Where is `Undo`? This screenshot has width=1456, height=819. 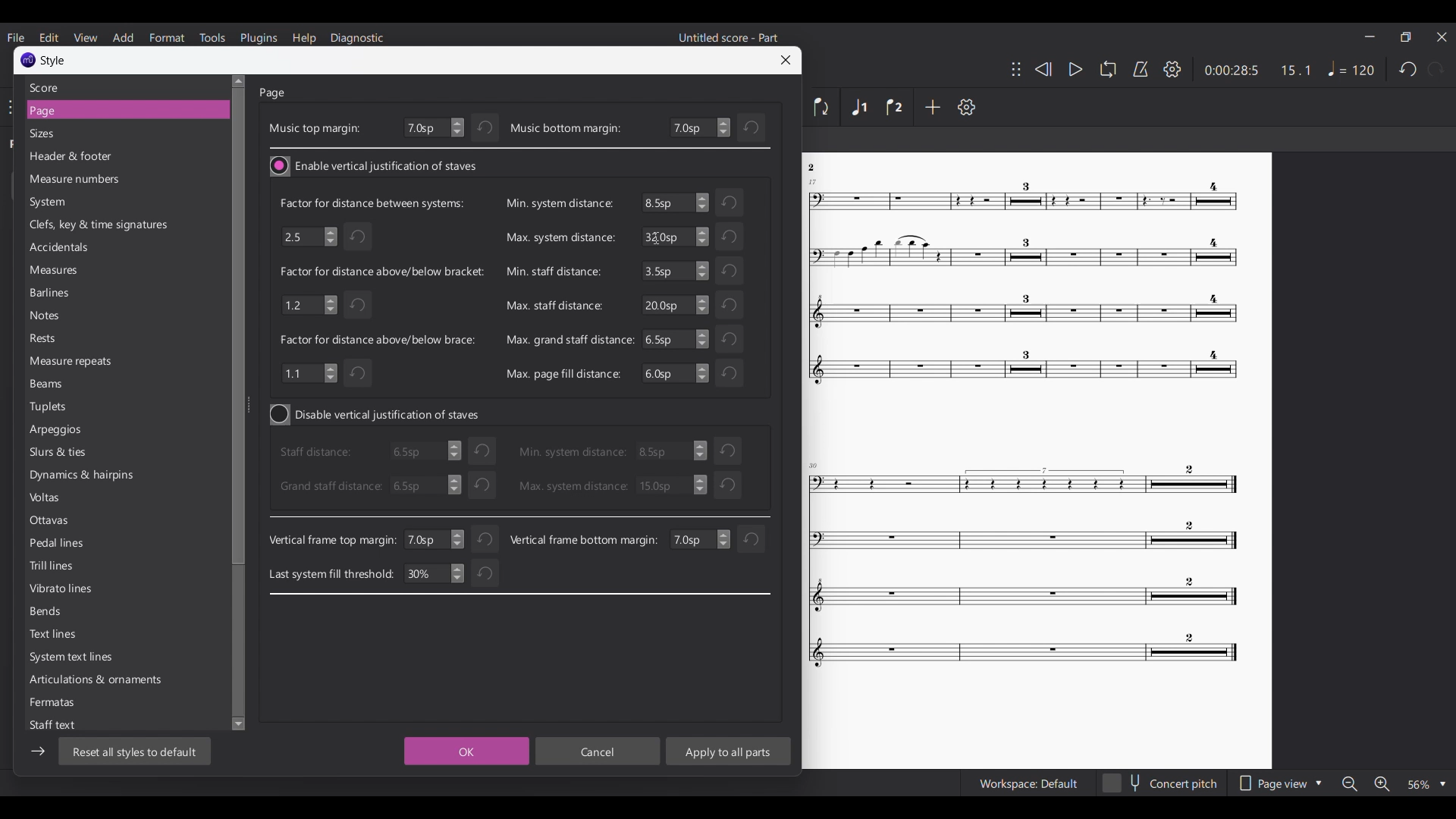
Undo is located at coordinates (359, 304).